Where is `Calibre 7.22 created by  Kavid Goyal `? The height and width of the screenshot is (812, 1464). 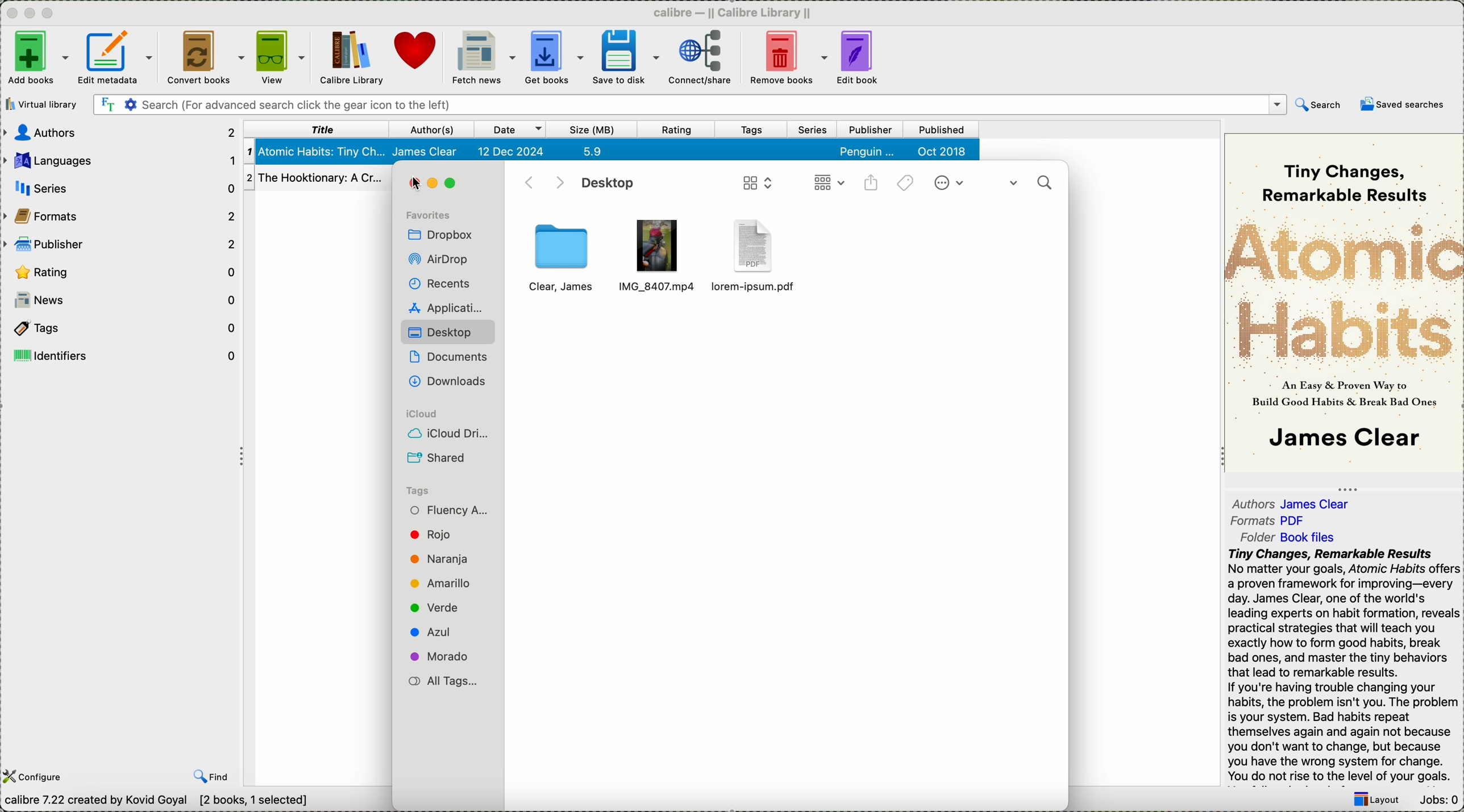 Calibre 7.22 created by  Kavid Goyal  is located at coordinates (157, 802).